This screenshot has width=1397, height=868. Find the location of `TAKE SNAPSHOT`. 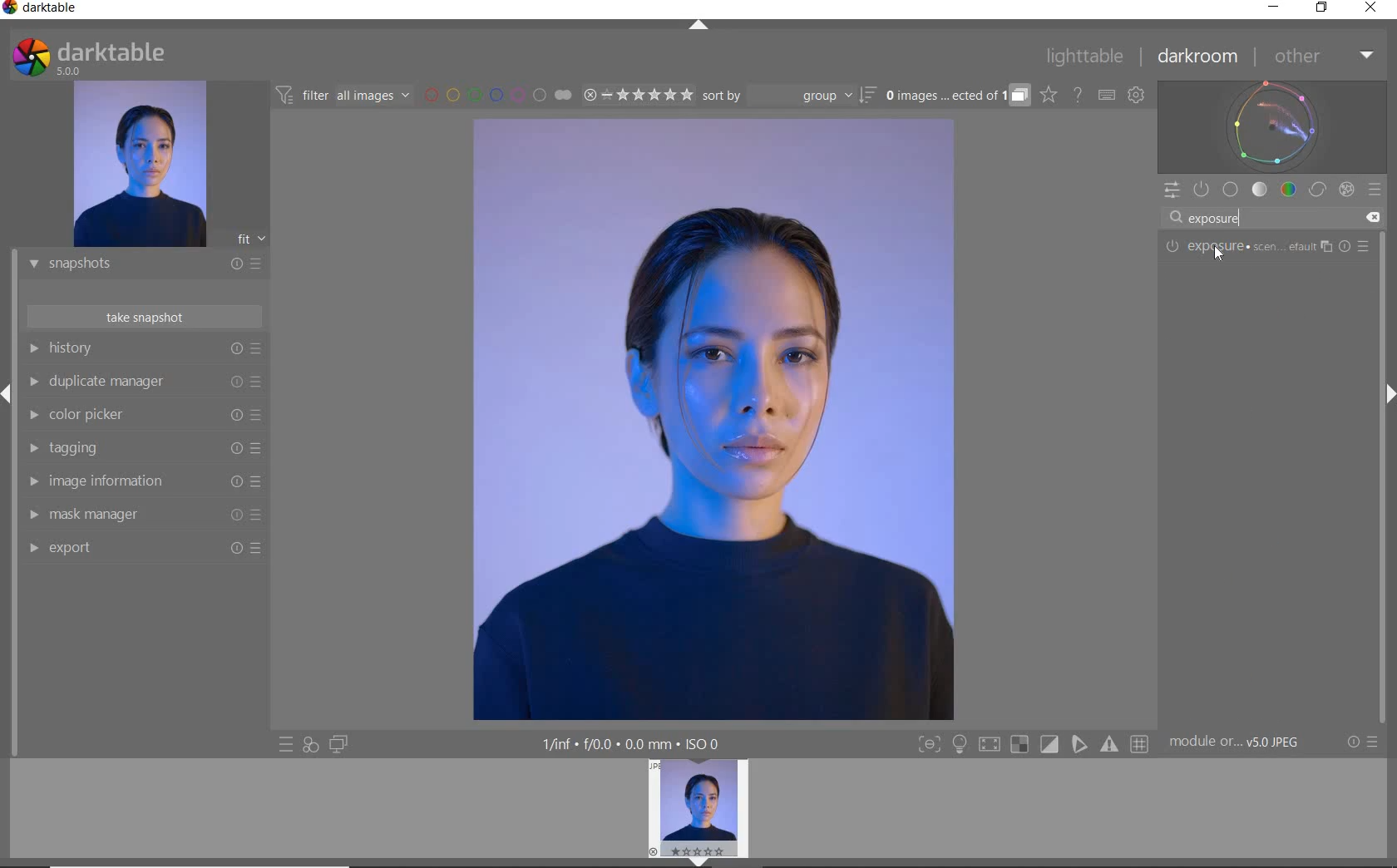

TAKE SNAPSHOT is located at coordinates (143, 316).